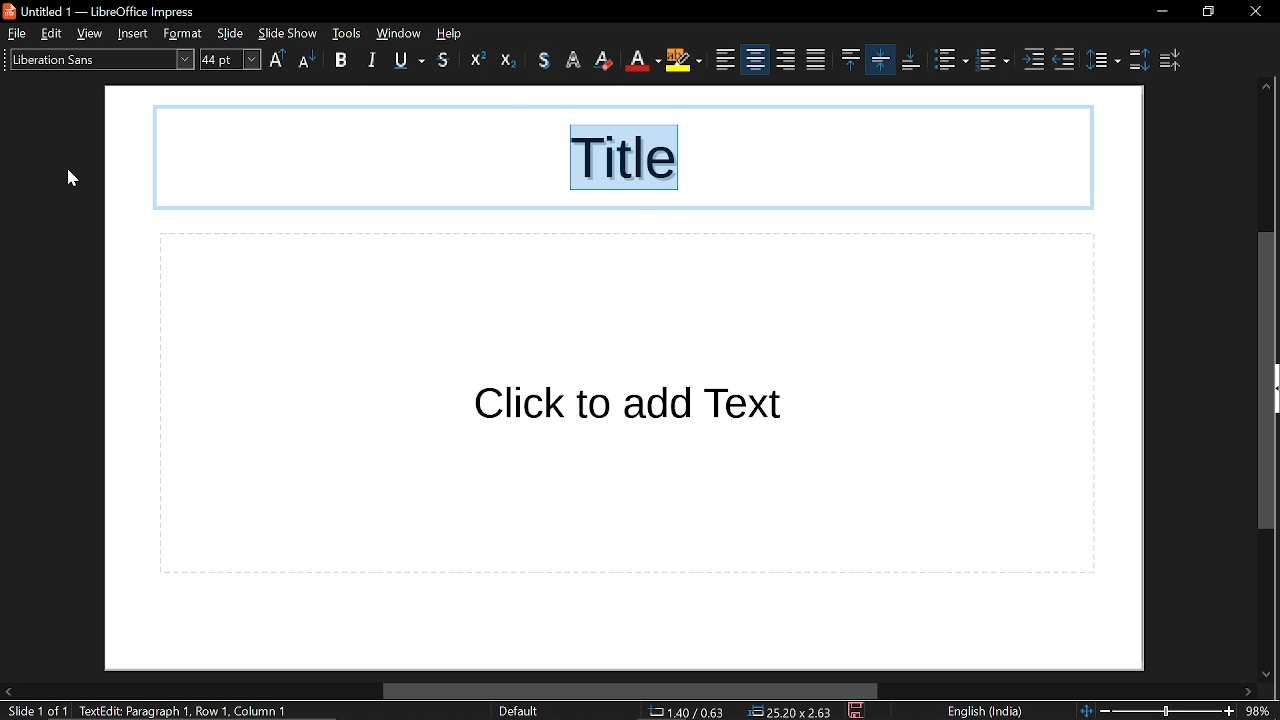 Image resolution: width=1280 pixels, height=720 pixels. What do you see at coordinates (911, 60) in the screenshot?
I see `align bottom` at bounding box center [911, 60].